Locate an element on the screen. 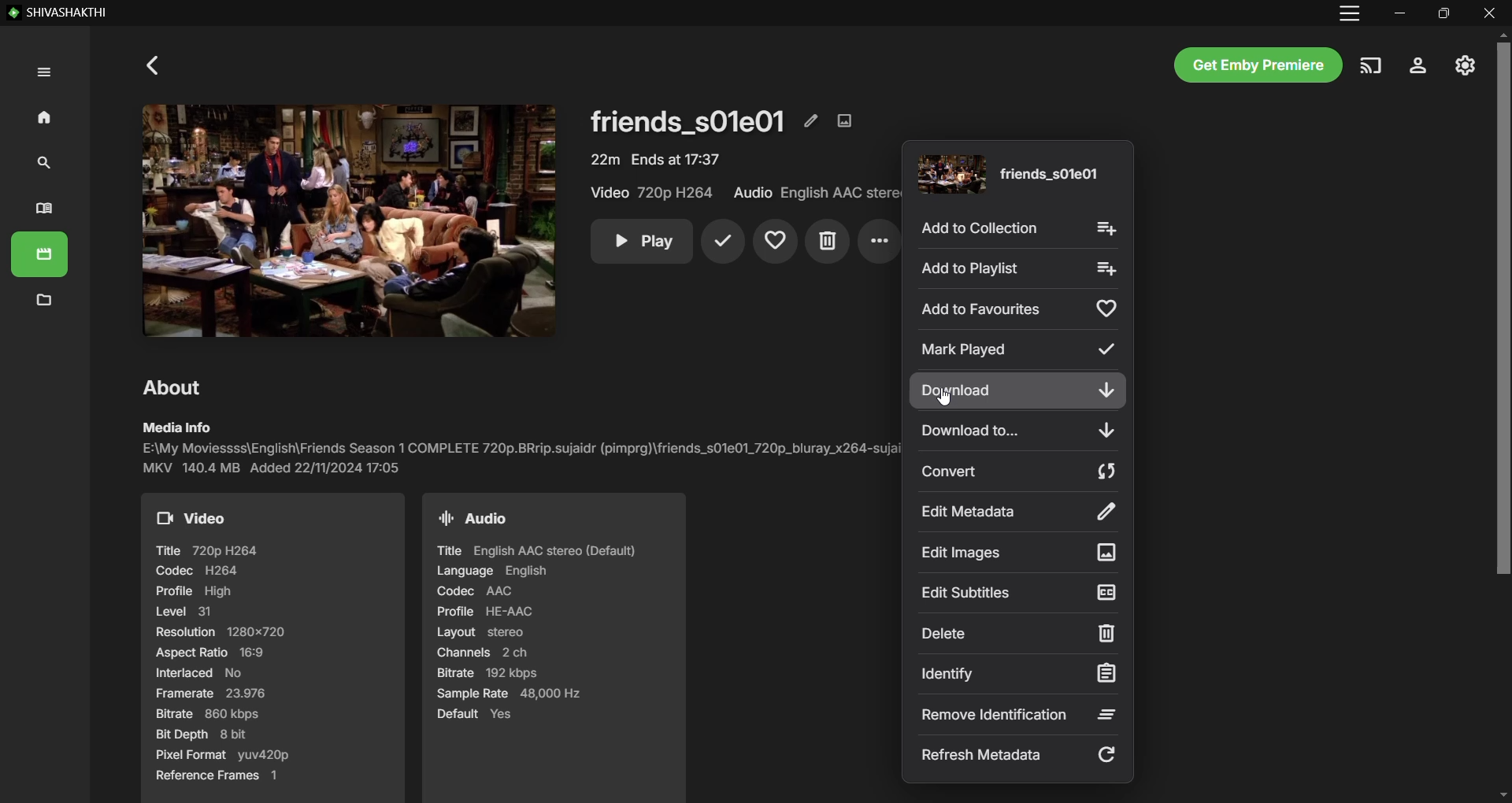 This screenshot has height=803, width=1512. Video details is located at coordinates (273, 648).